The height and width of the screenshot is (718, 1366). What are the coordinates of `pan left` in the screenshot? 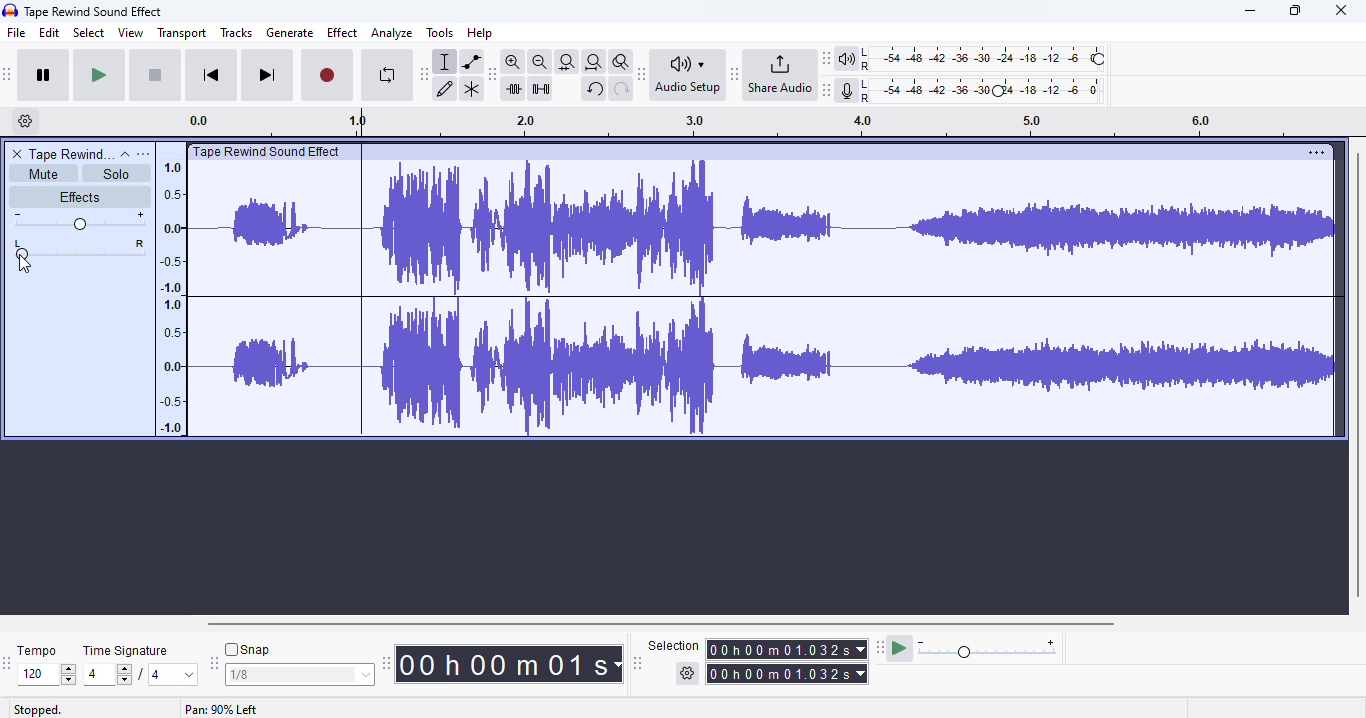 It's located at (20, 249).